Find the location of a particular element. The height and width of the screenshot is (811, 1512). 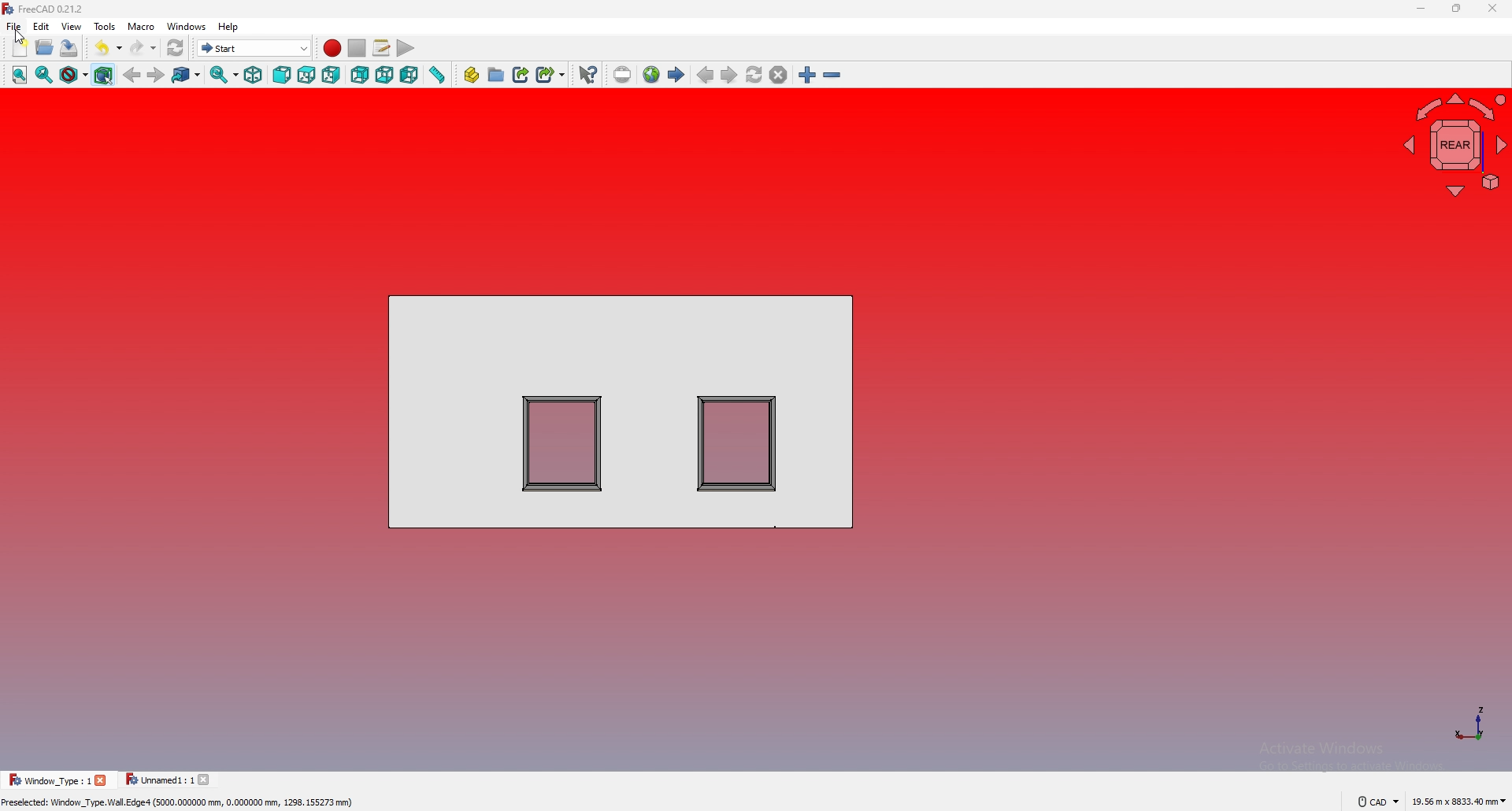

back is located at coordinates (361, 76).